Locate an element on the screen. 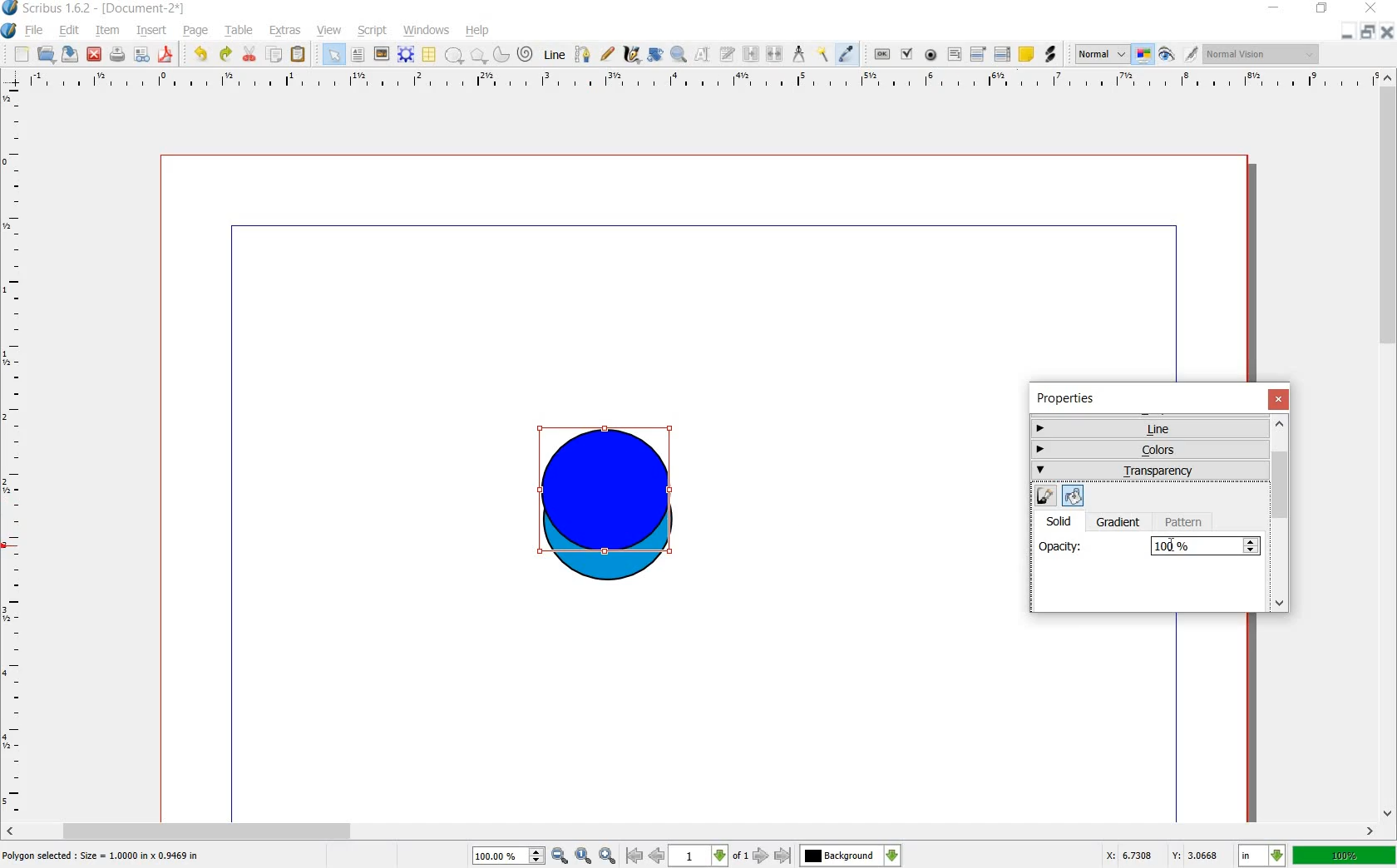 This screenshot has width=1397, height=868. eye dropper is located at coordinates (846, 54).